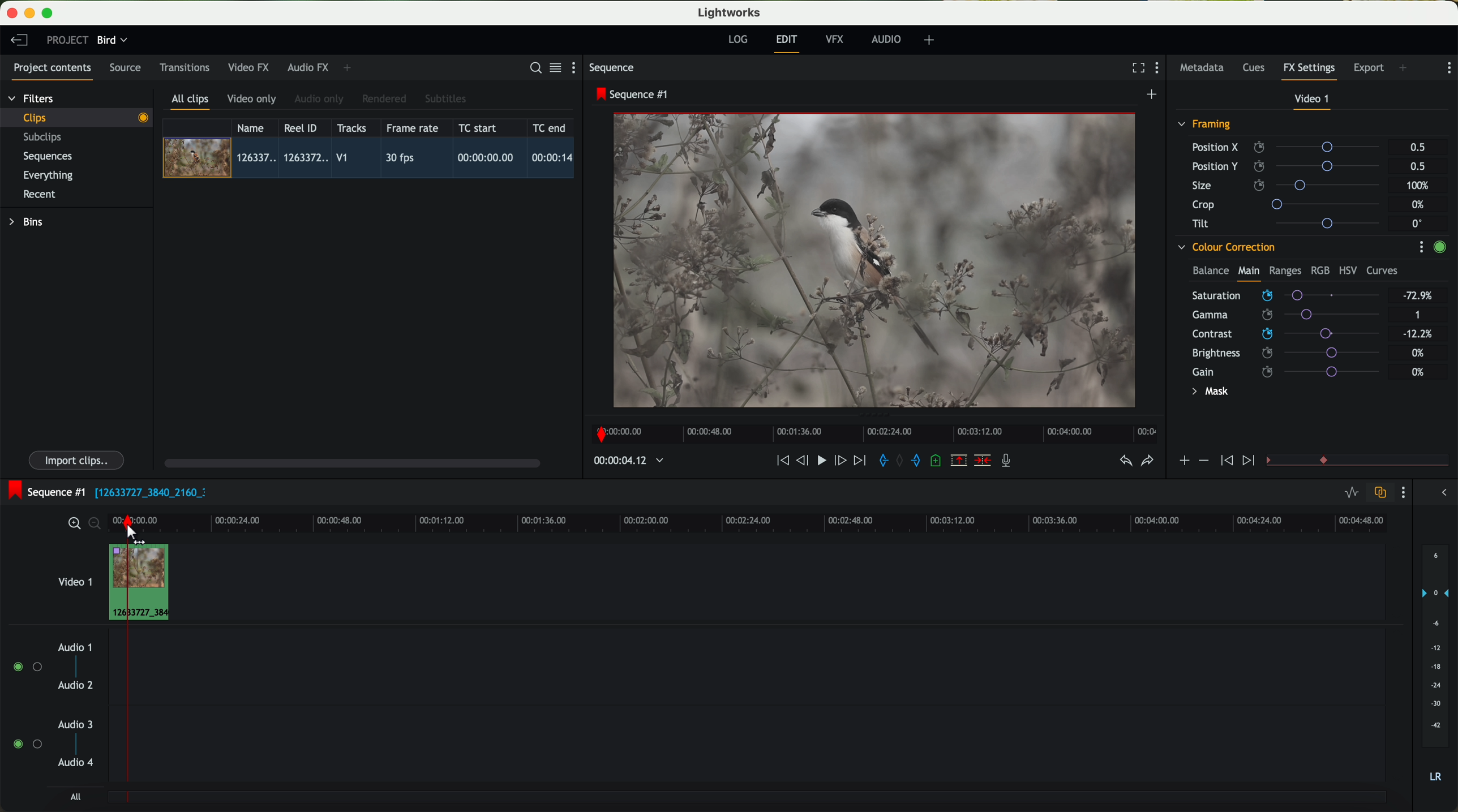 This screenshot has width=1458, height=812. What do you see at coordinates (1313, 101) in the screenshot?
I see `video 1` at bounding box center [1313, 101].